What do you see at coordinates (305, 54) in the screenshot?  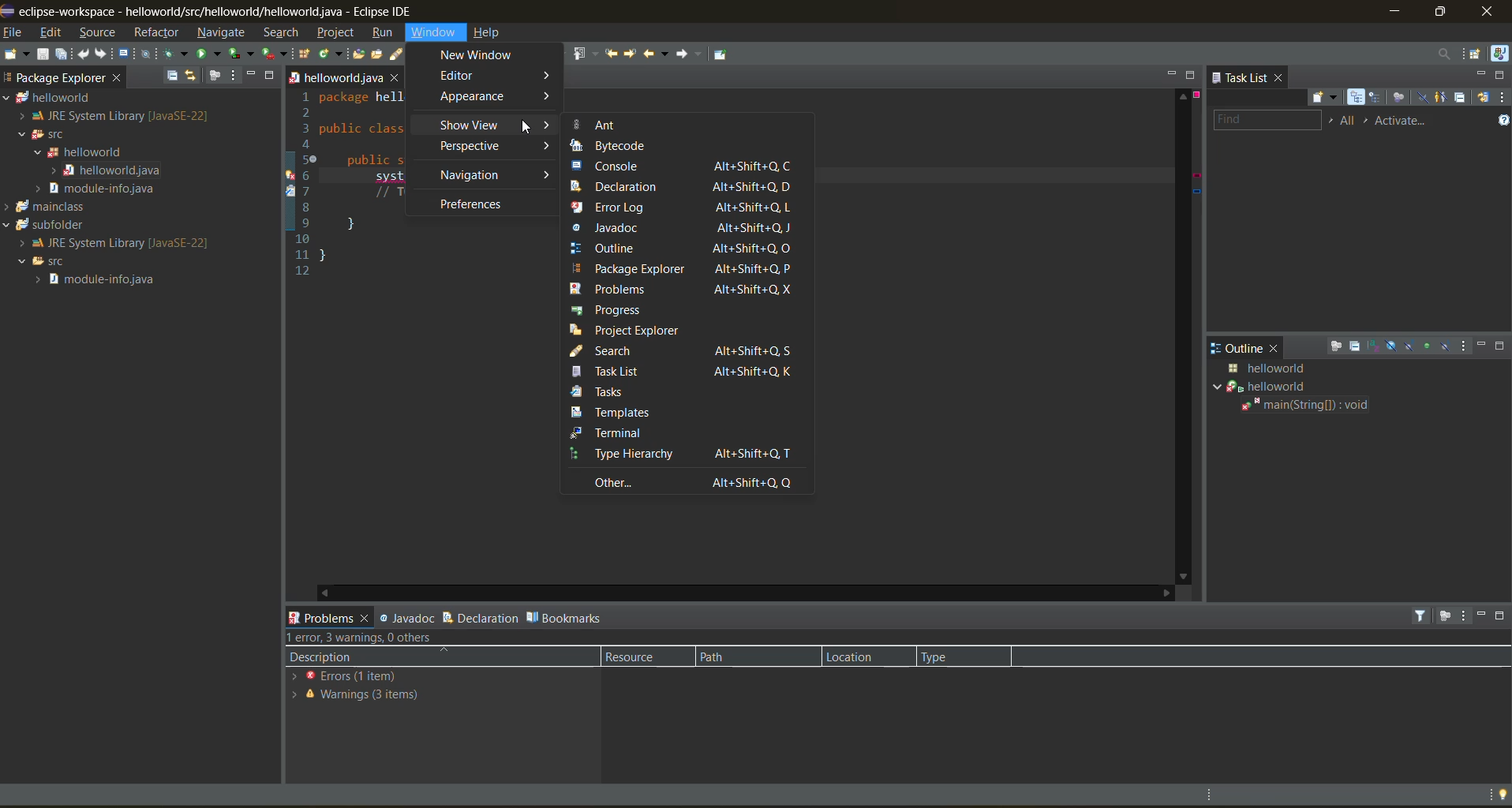 I see `new java package` at bounding box center [305, 54].